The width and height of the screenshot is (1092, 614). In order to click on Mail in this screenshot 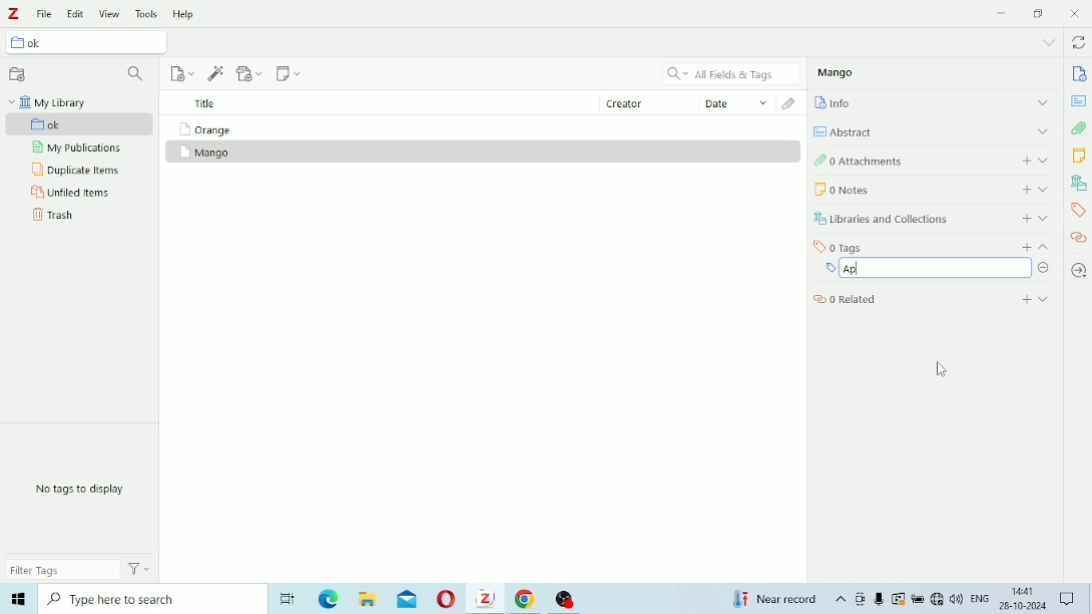, I will do `click(410, 599)`.